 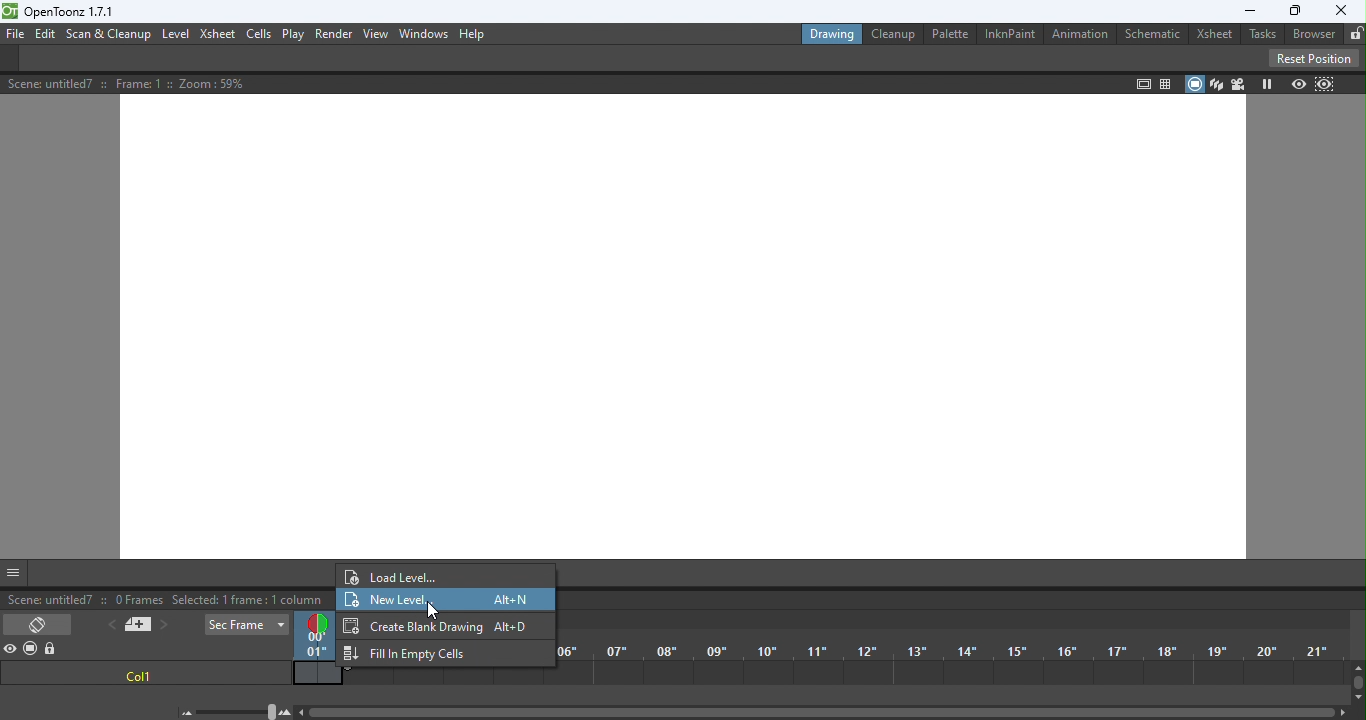 I want to click on Safe area, so click(x=1142, y=83).